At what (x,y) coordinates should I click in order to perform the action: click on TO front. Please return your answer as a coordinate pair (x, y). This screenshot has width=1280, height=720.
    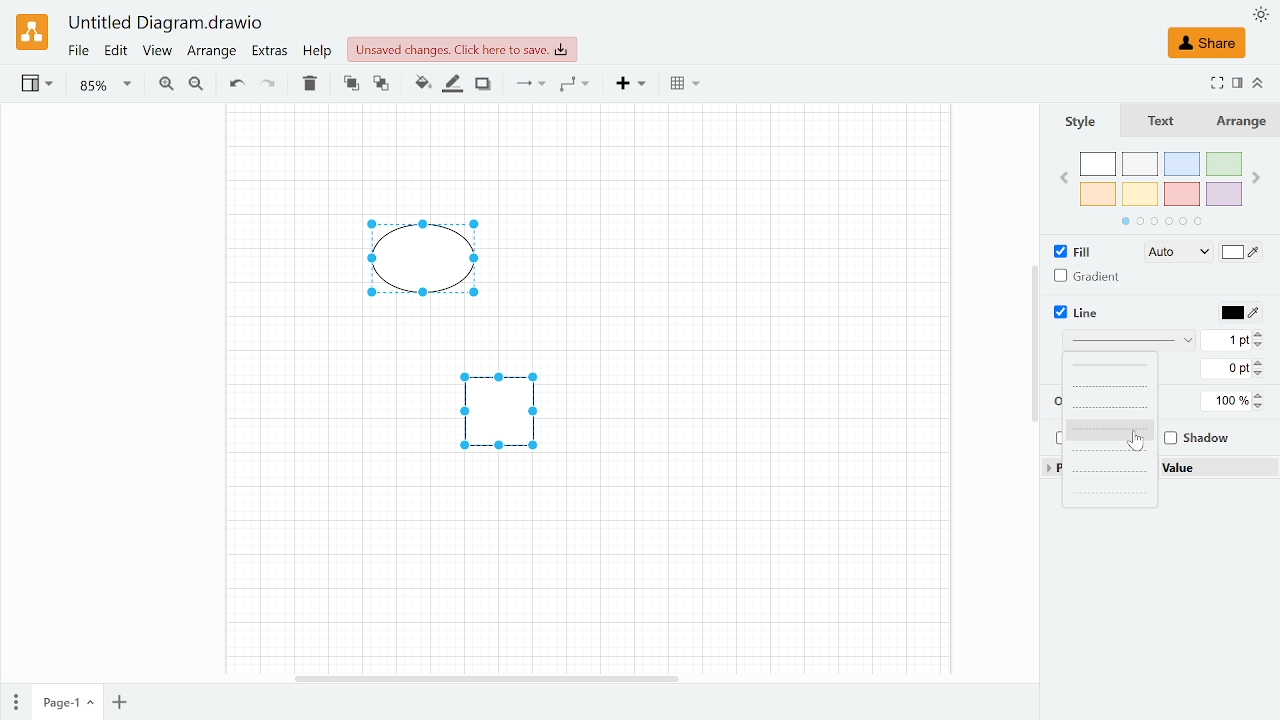
    Looking at the image, I should click on (350, 84).